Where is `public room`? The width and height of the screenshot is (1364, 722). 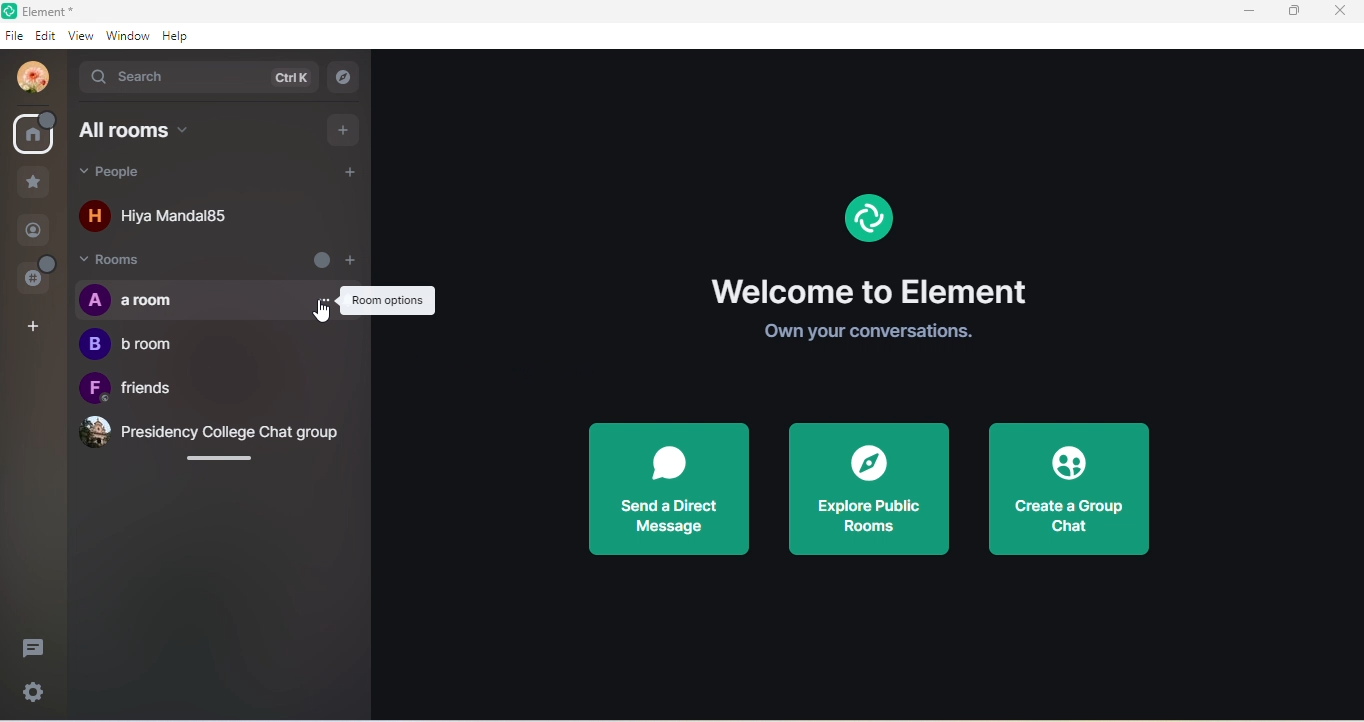 public room is located at coordinates (35, 277).